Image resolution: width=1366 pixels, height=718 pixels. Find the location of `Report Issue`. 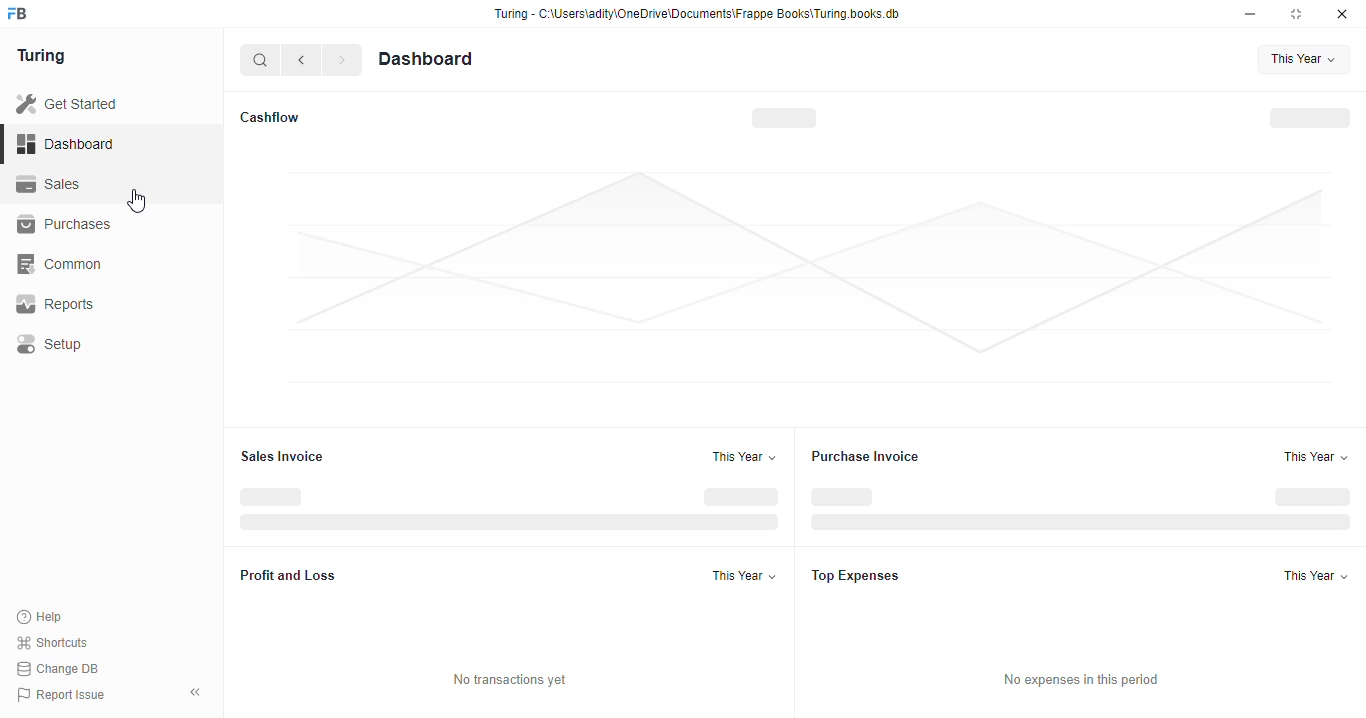

Report Issue is located at coordinates (65, 693).